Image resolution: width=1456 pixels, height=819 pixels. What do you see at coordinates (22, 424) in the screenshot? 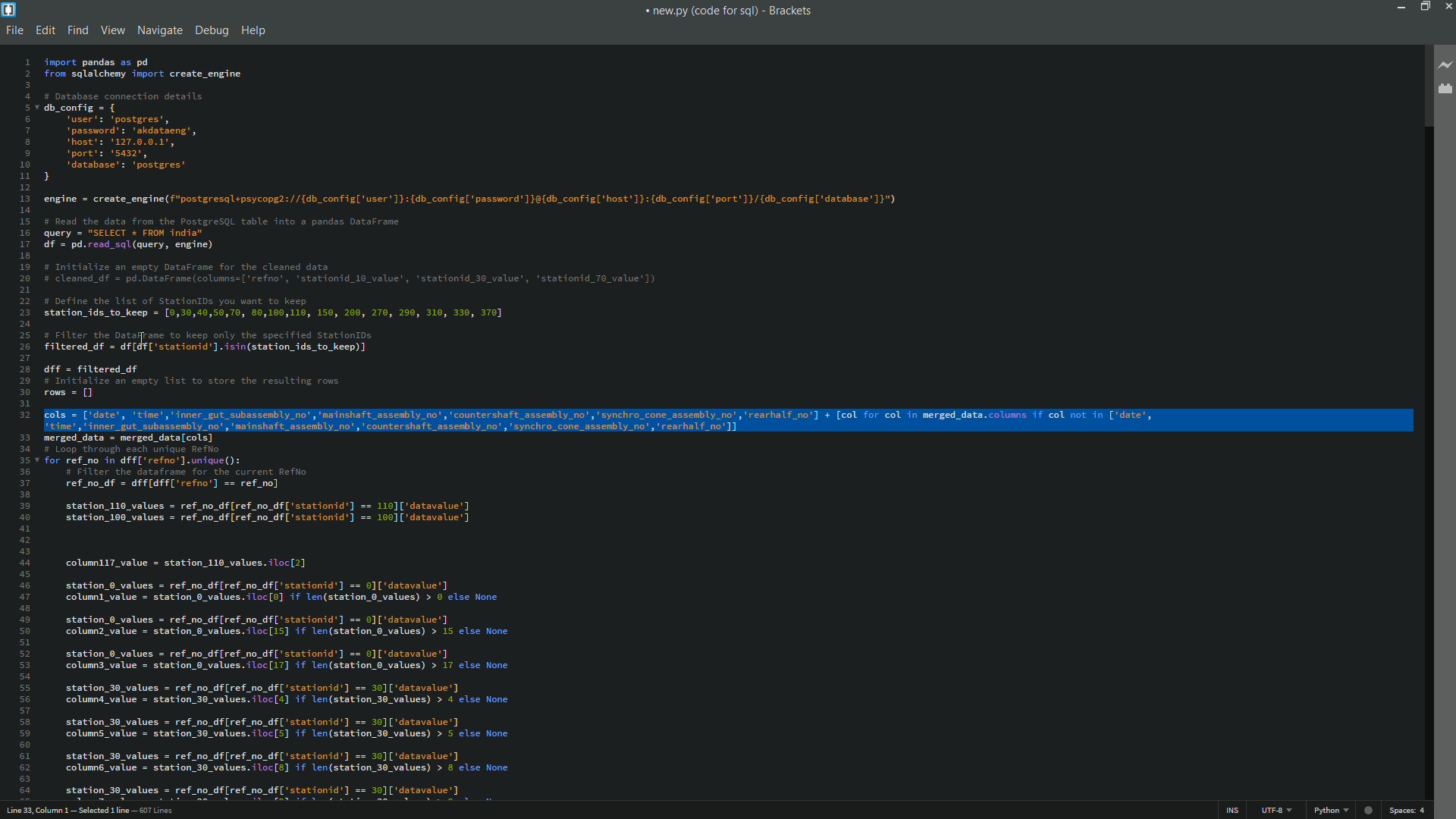
I see `line numbers` at bounding box center [22, 424].